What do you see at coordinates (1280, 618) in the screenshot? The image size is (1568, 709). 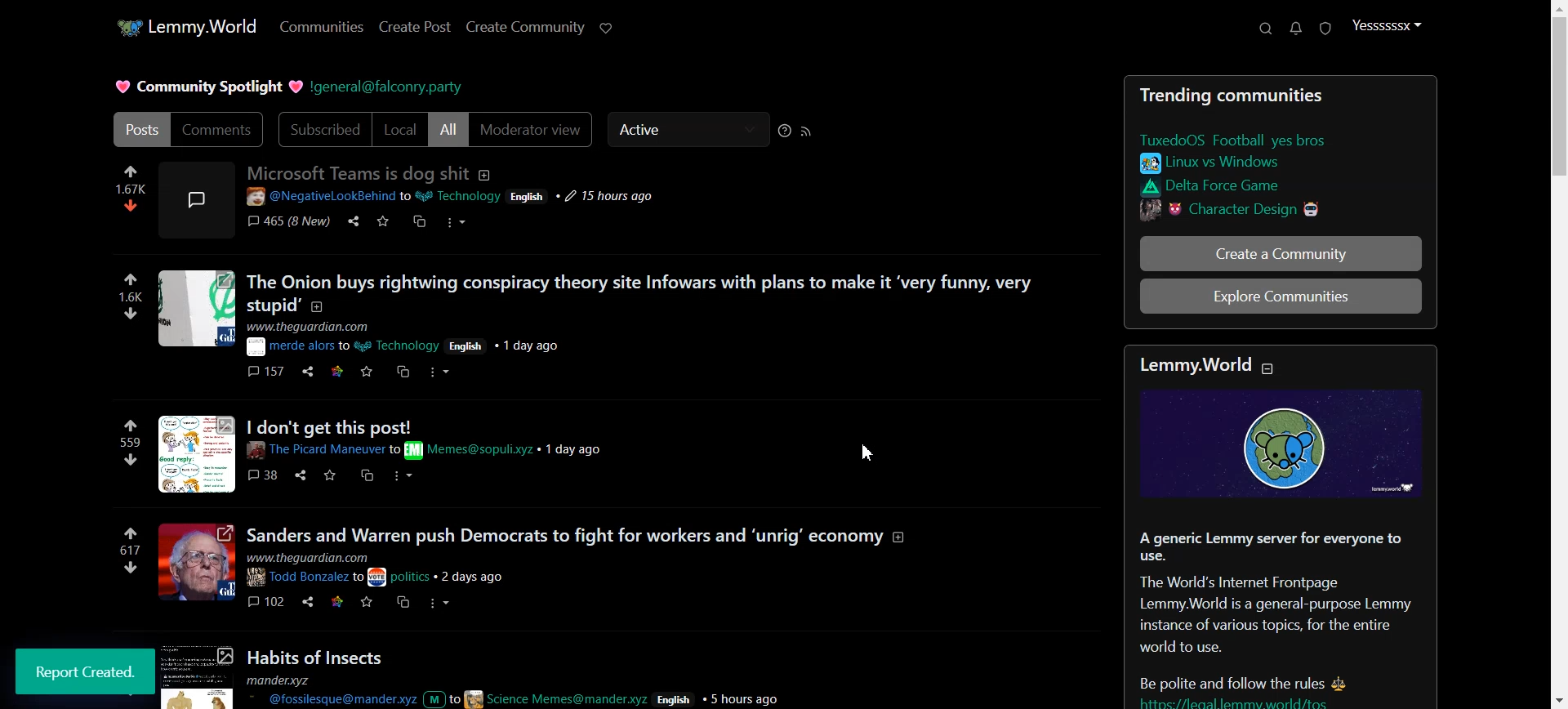 I see `Posts` at bounding box center [1280, 618].